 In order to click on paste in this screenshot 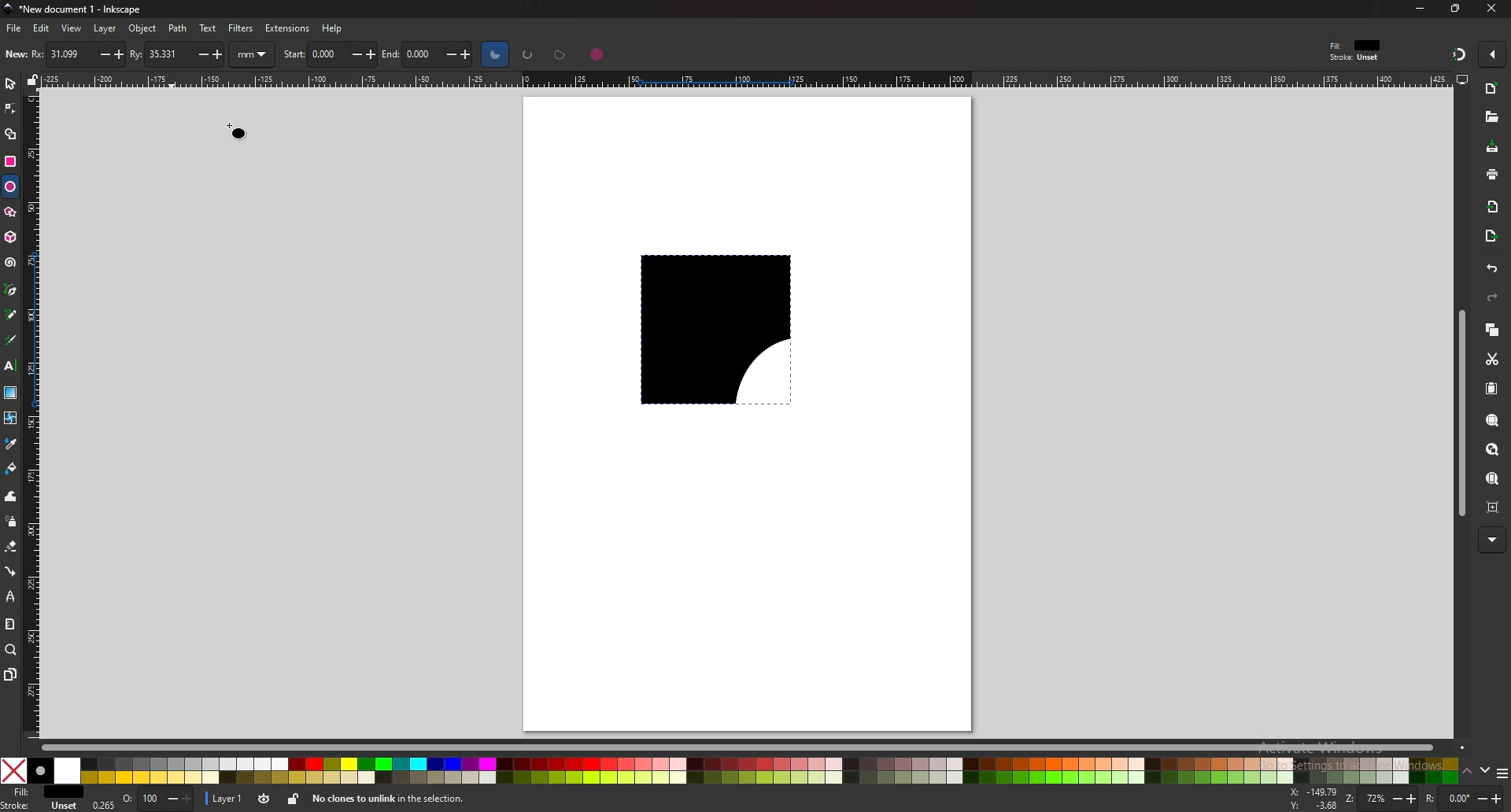, I will do `click(1492, 387)`.